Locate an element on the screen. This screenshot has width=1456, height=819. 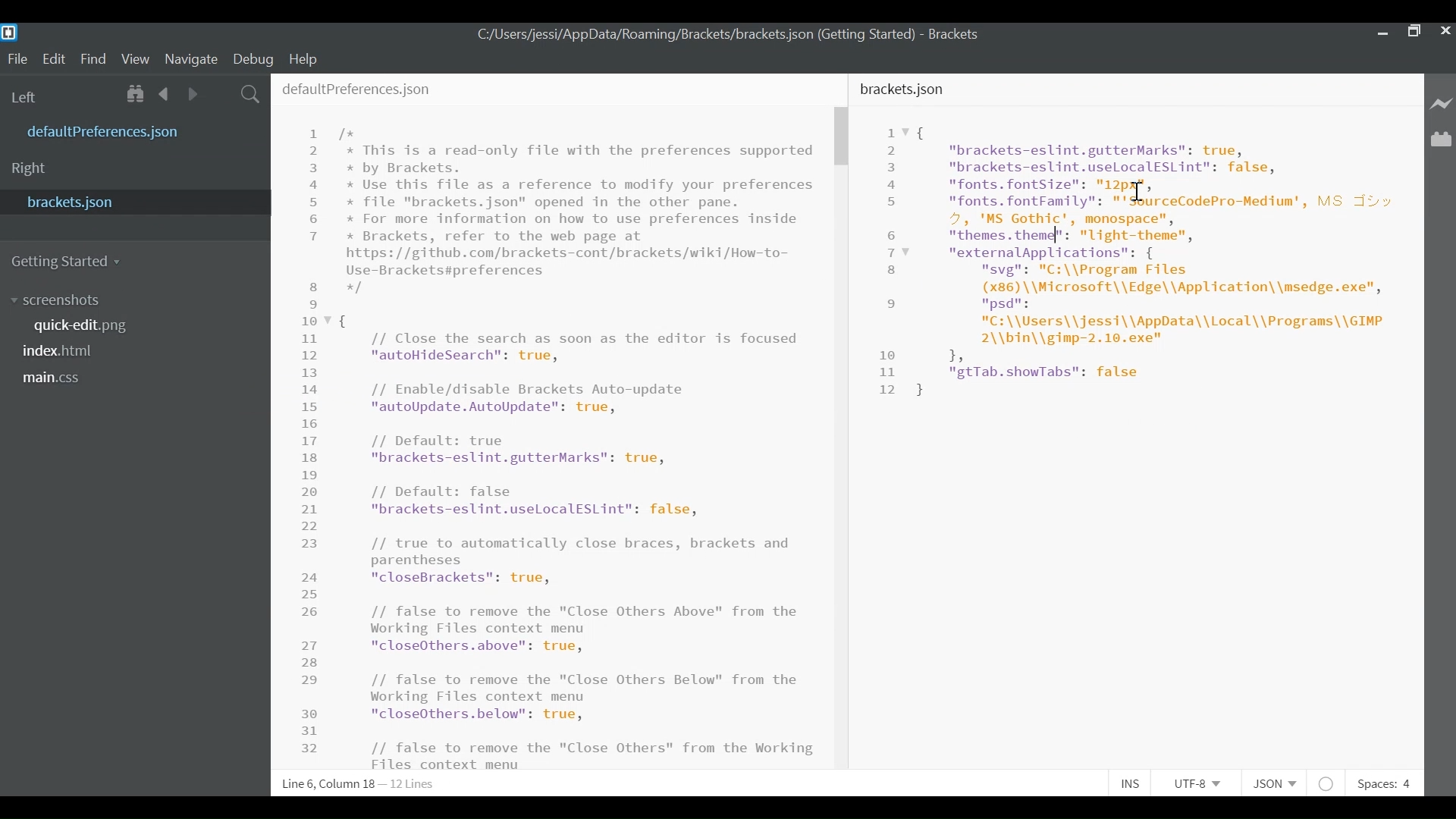
minimize is located at coordinates (1381, 33).